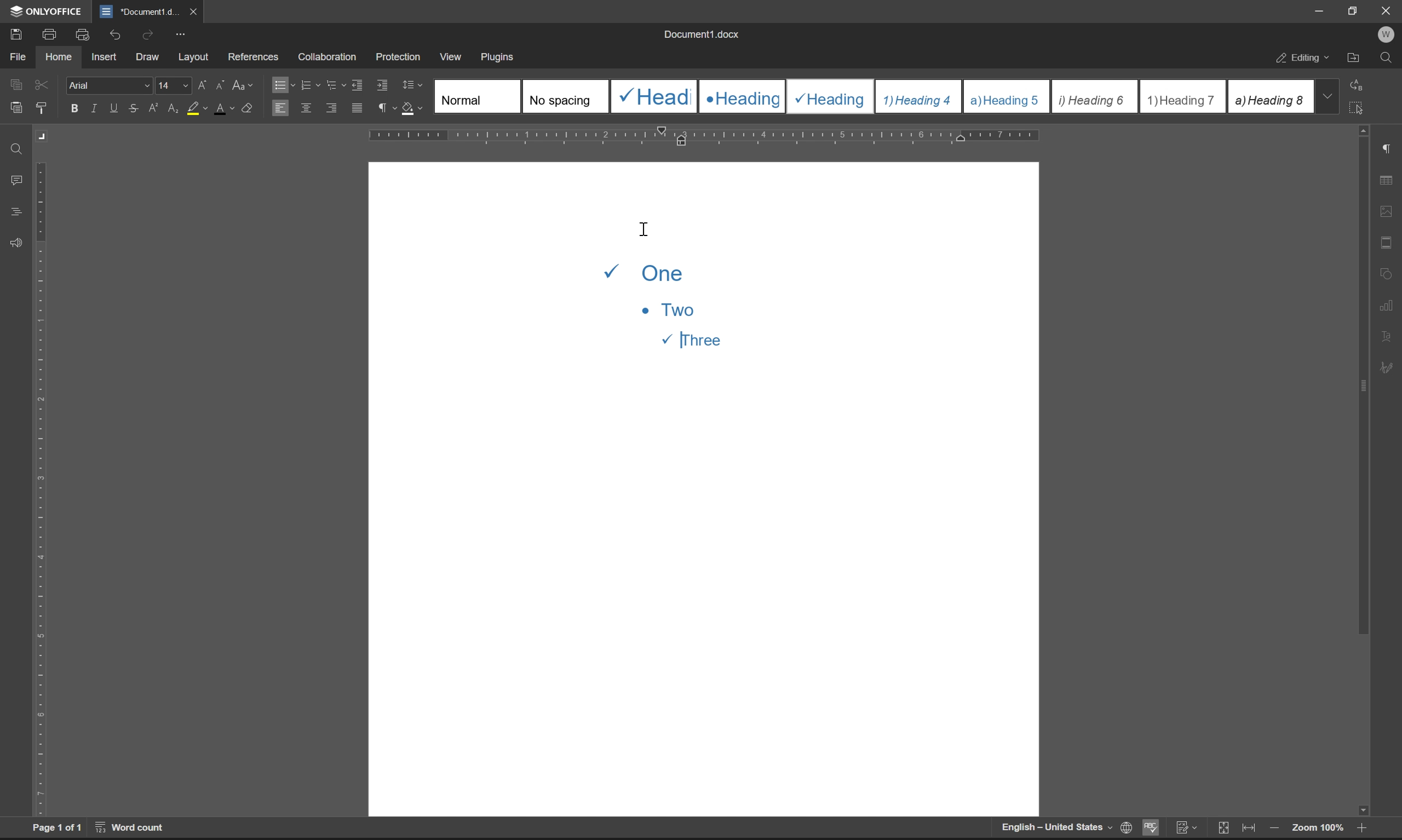 This screenshot has height=840, width=1402. Describe the element at coordinates (1386, 242) in the screenshot. I see `header & footer settings` at that location.